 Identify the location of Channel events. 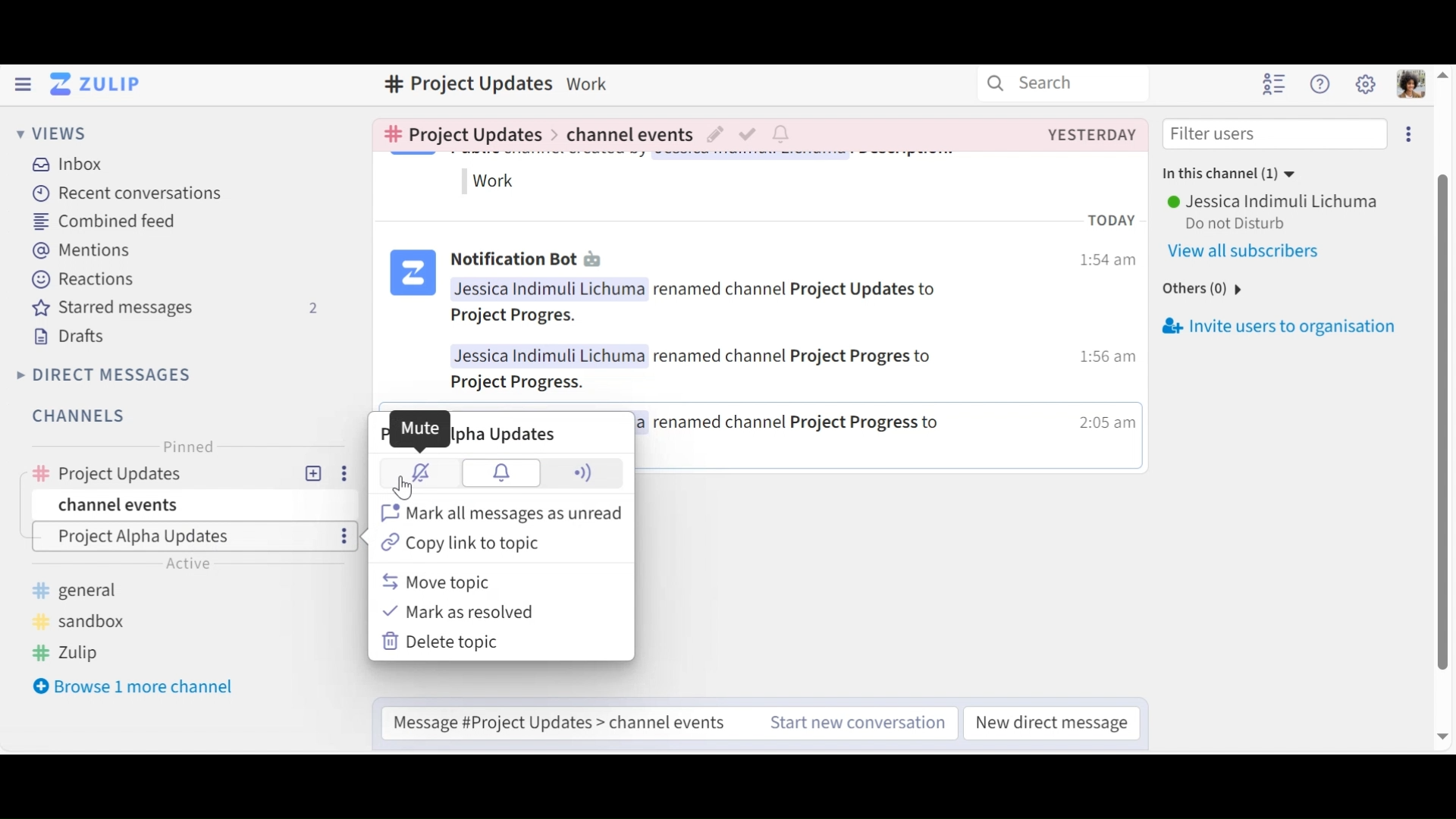
(626, 138).